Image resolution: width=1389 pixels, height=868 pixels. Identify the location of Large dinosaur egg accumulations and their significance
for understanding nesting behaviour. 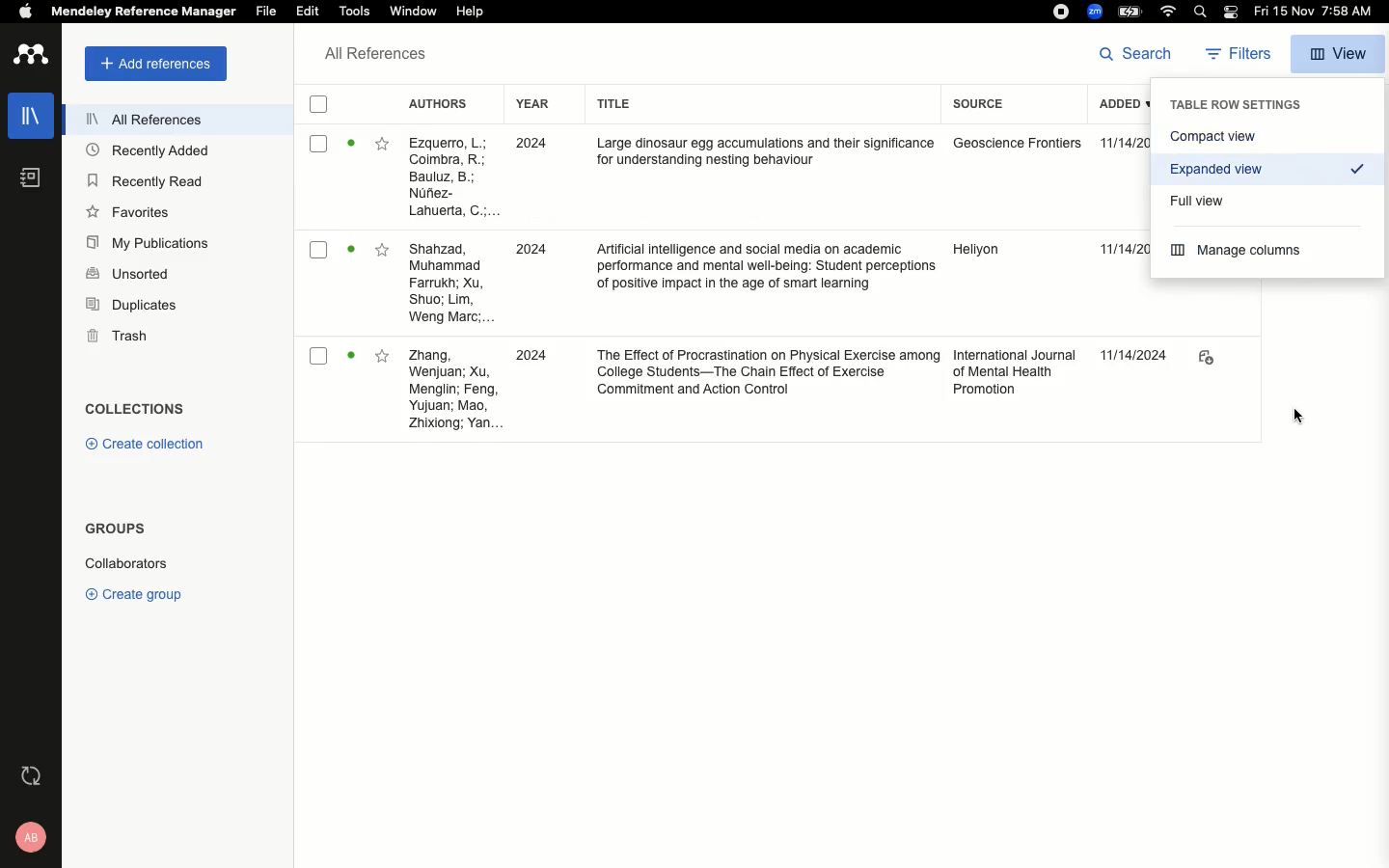
(765, 152).